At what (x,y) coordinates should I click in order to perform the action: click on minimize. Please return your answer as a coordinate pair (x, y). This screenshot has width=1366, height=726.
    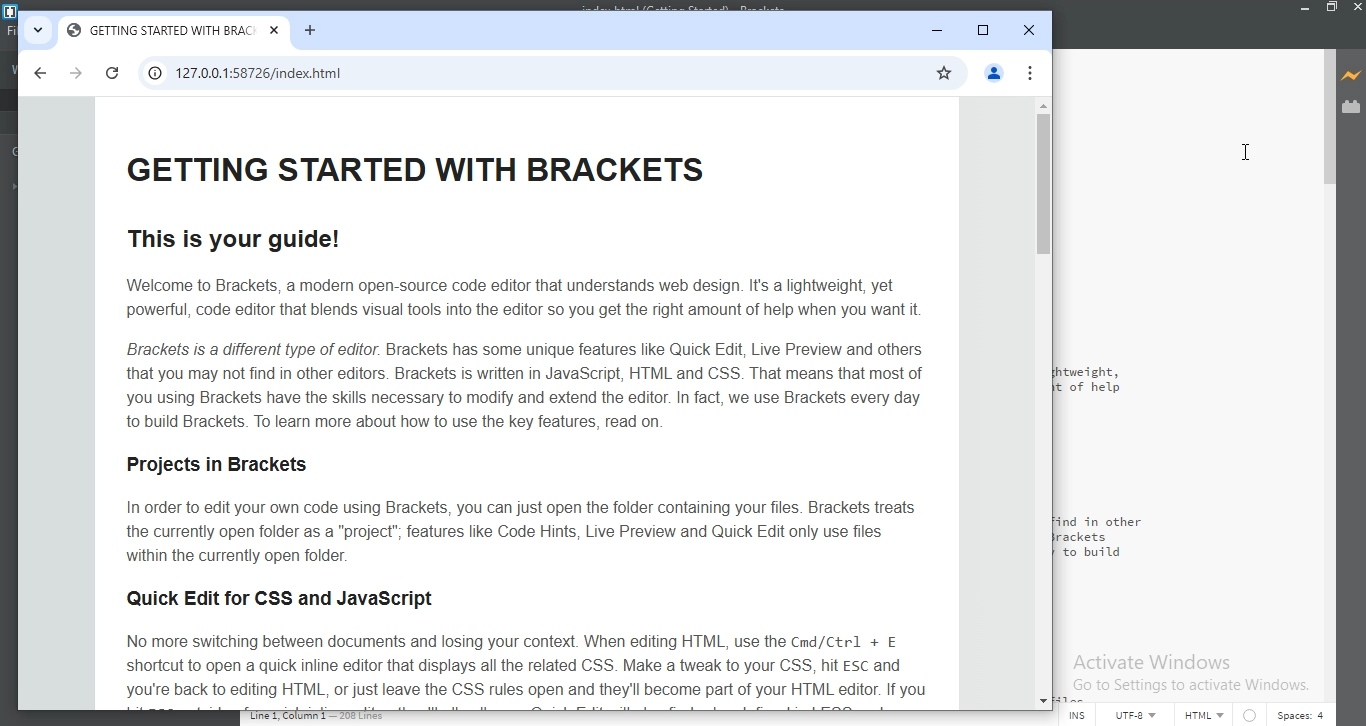
    Looking at the image, I should click on (1307, 10).